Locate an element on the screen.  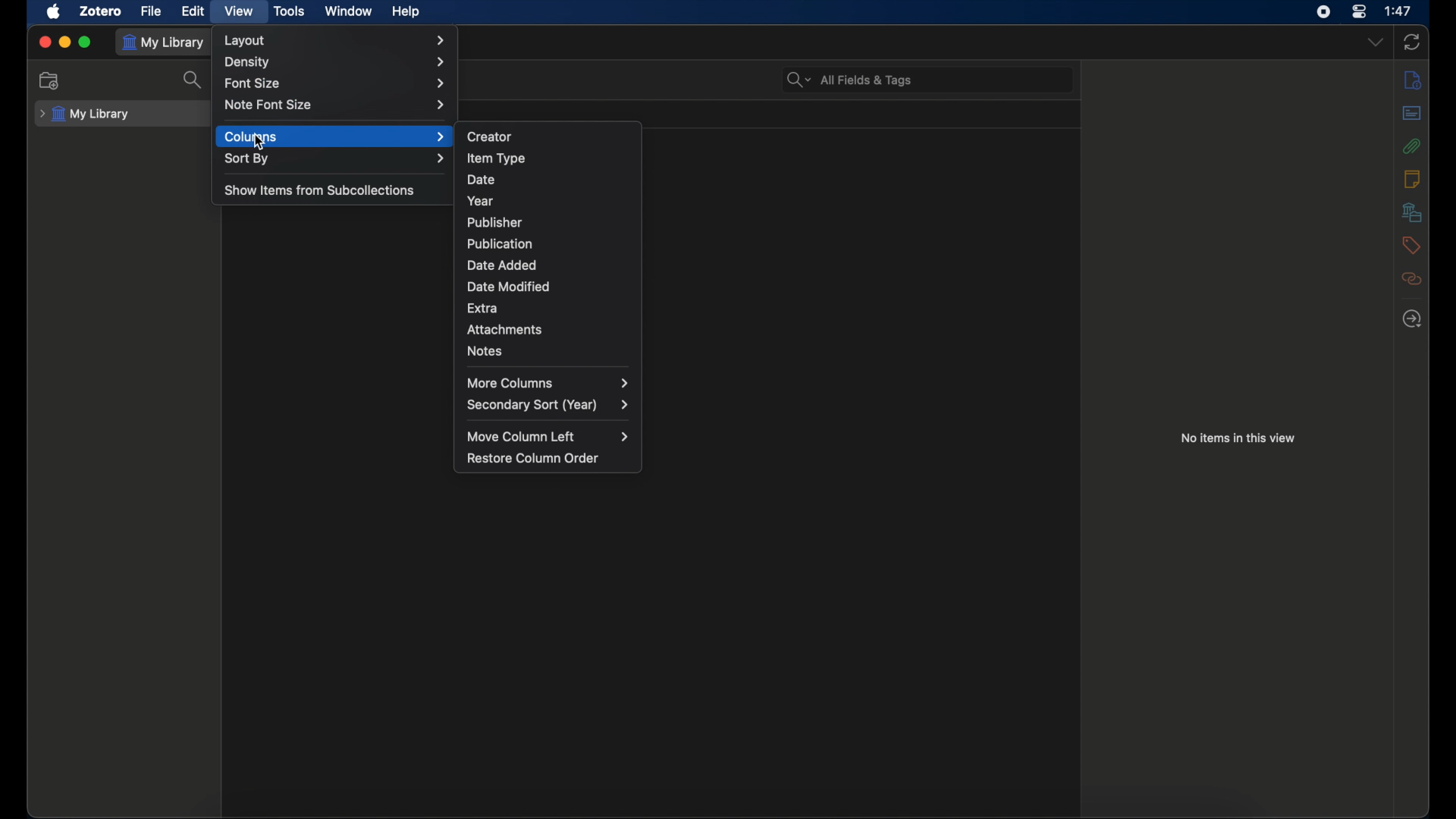
publisher is located at coordinates (493, 222).